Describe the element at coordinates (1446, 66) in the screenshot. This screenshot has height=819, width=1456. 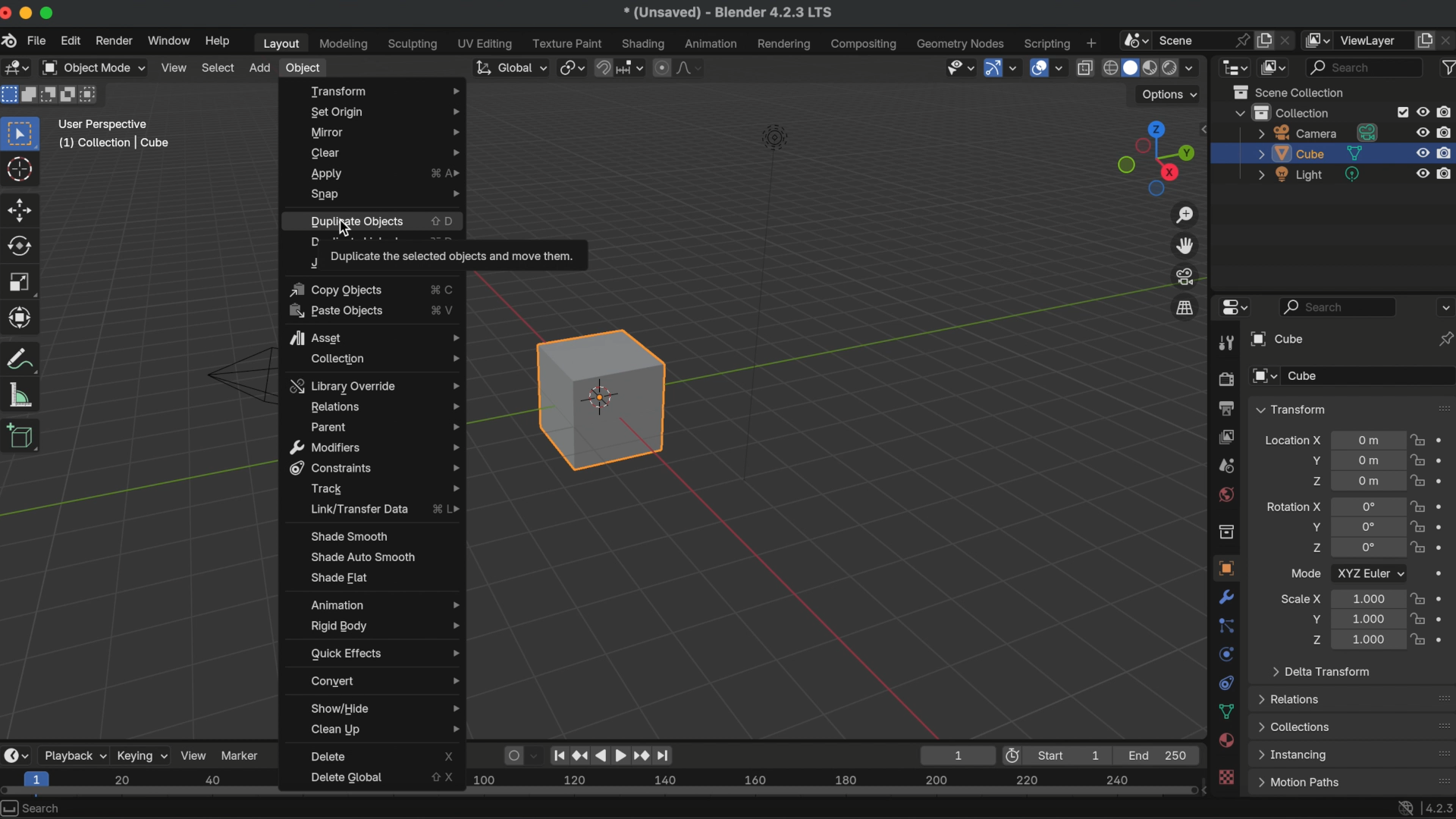
I see `filter icon` at that location.